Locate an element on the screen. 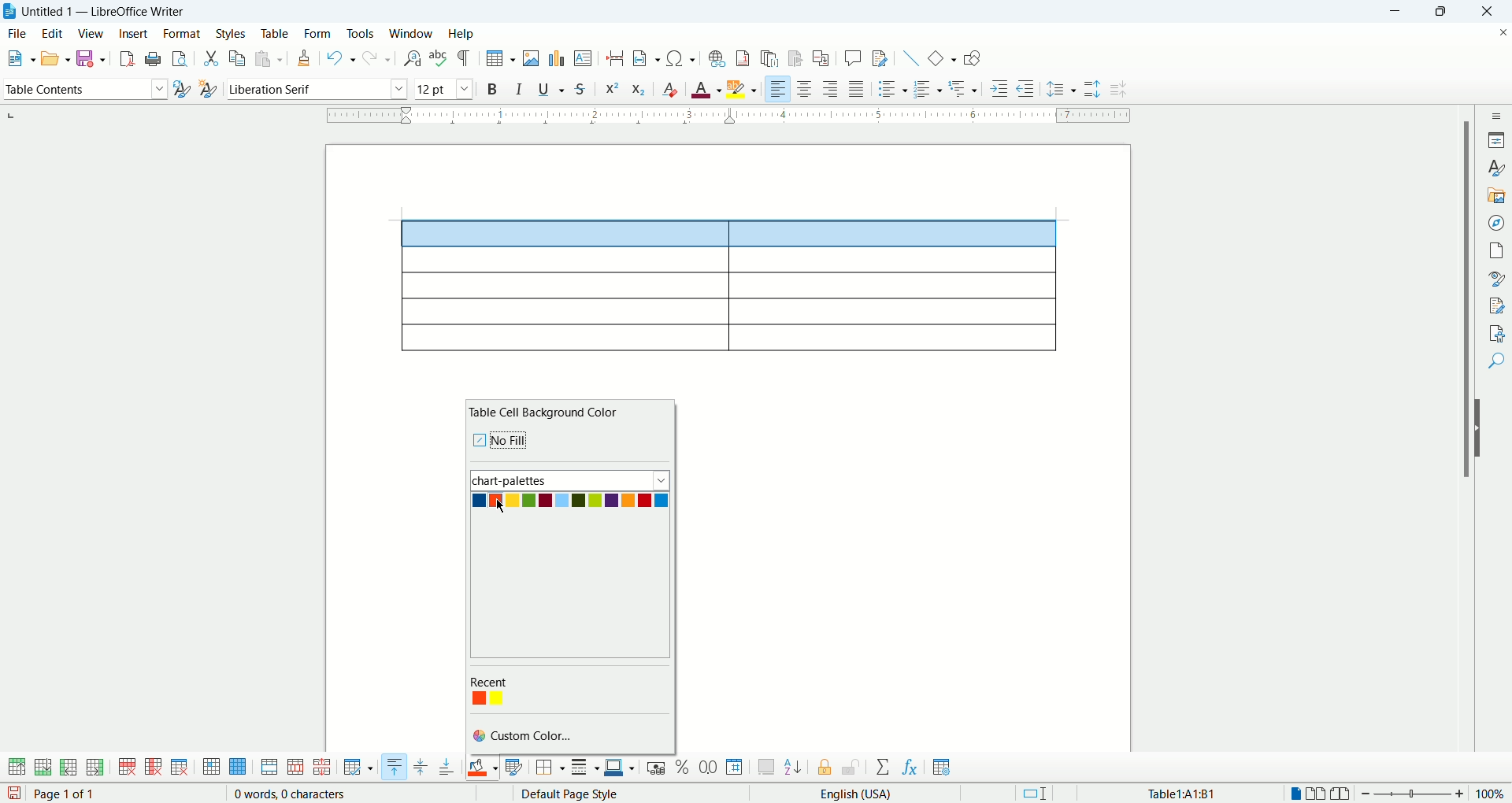 The height and width of the screenshot is (803, 1512). border color is located at coordinates (621, 768).